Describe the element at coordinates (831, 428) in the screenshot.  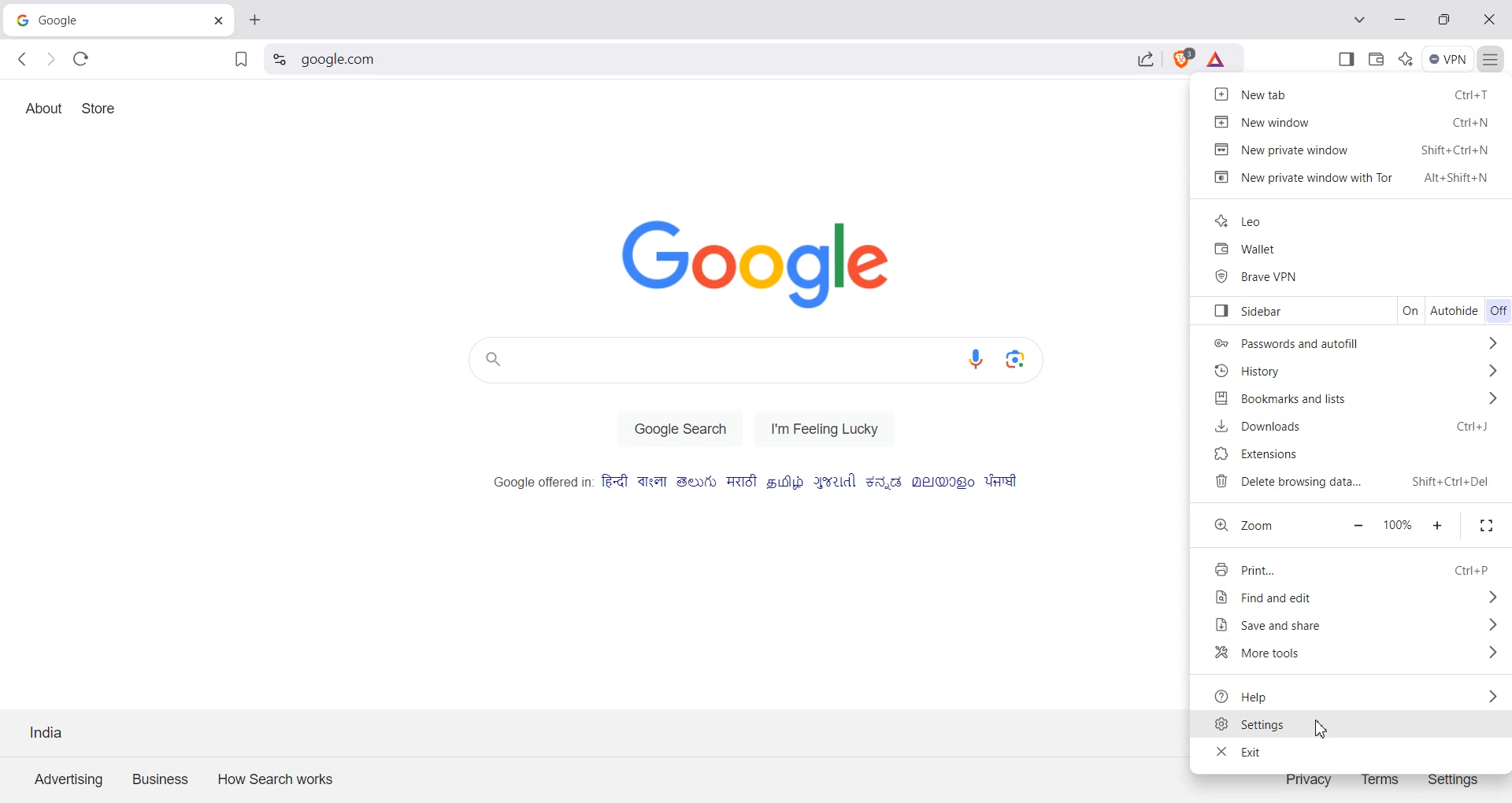
I see `I'm Feeling Lucky` at that location.